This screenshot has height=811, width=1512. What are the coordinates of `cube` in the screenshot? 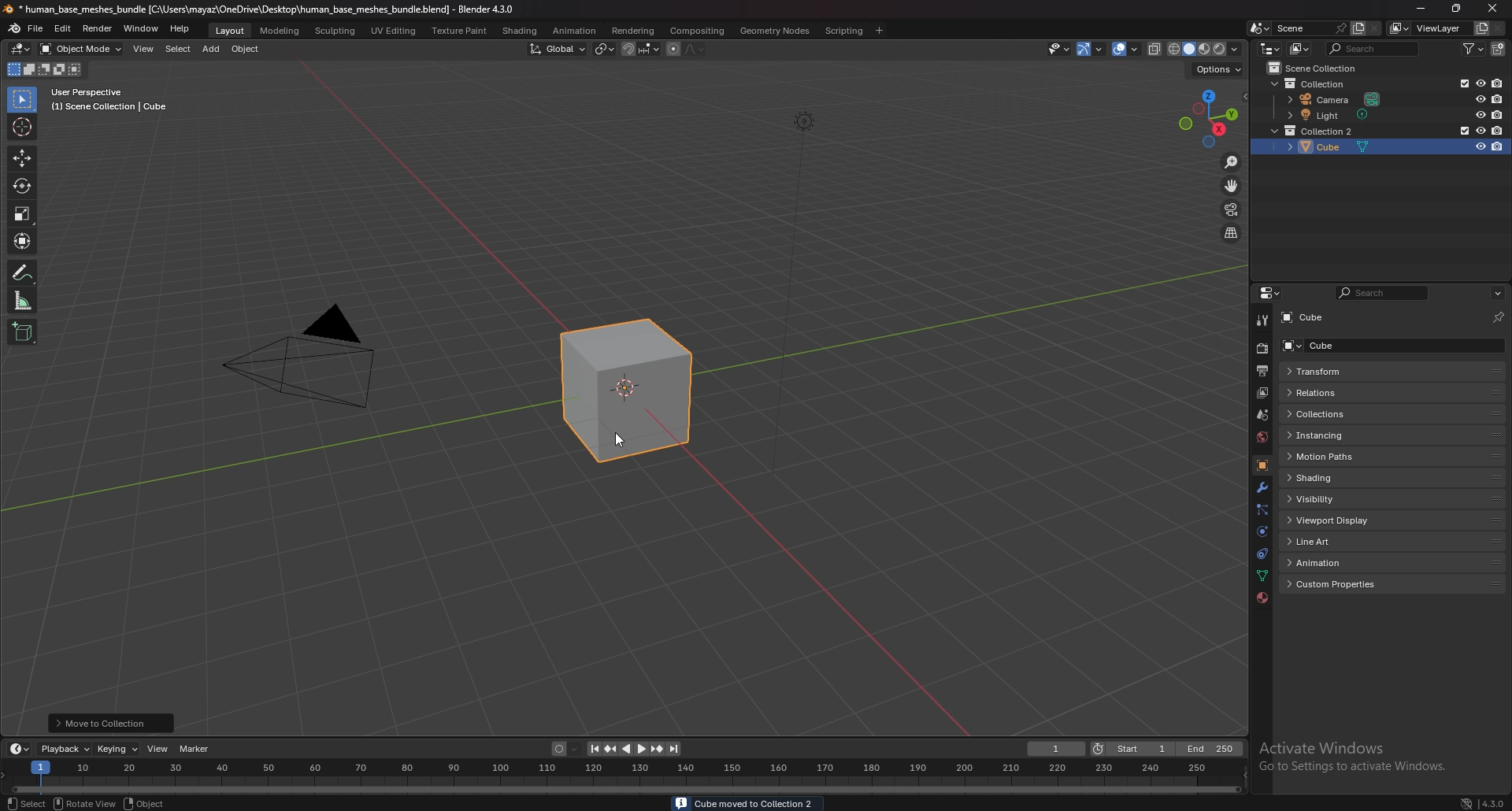 It's located at (633, 387).